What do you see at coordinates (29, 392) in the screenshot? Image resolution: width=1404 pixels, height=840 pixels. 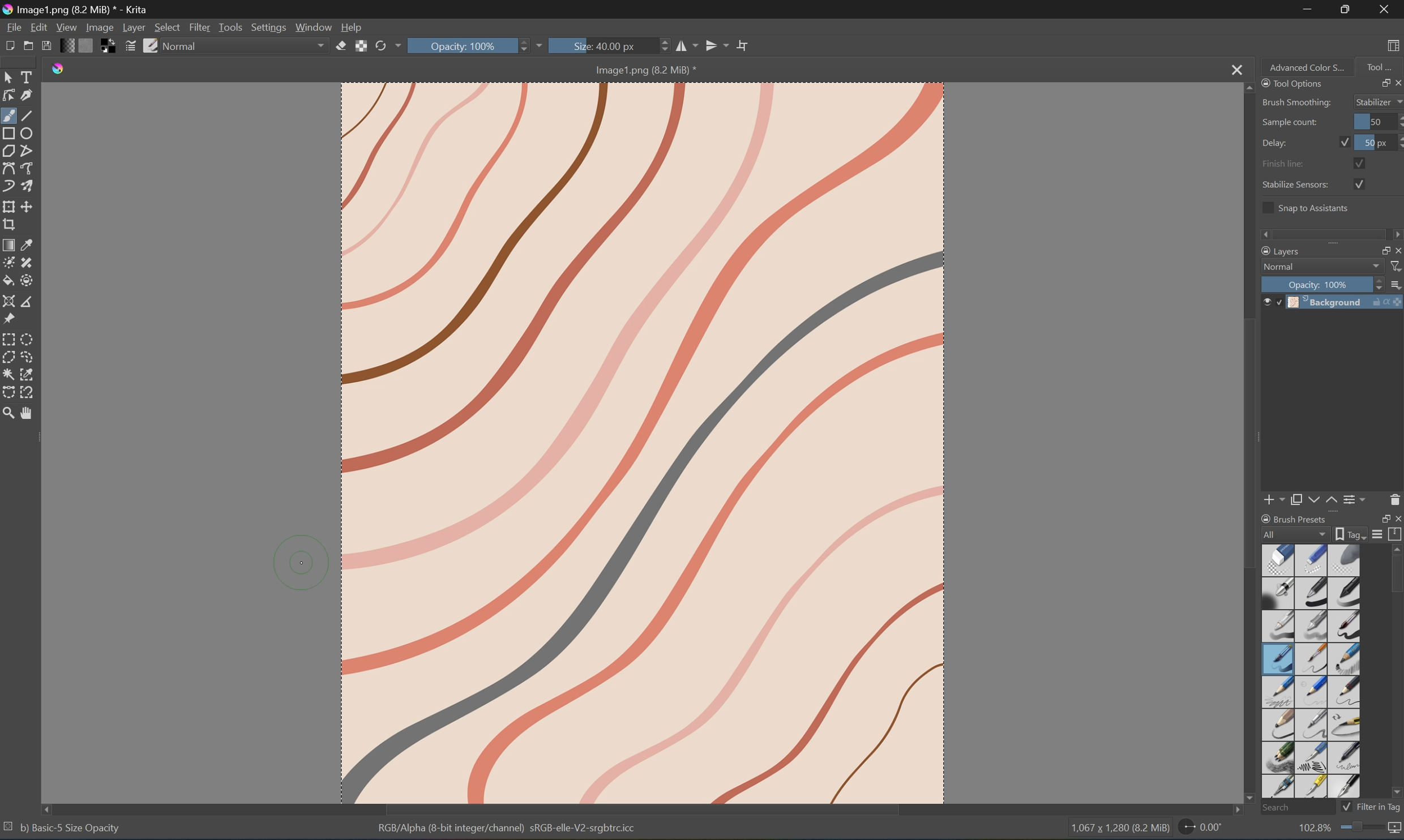 I see `Magnetic curve selection tool` at bounding box center [29, 392].